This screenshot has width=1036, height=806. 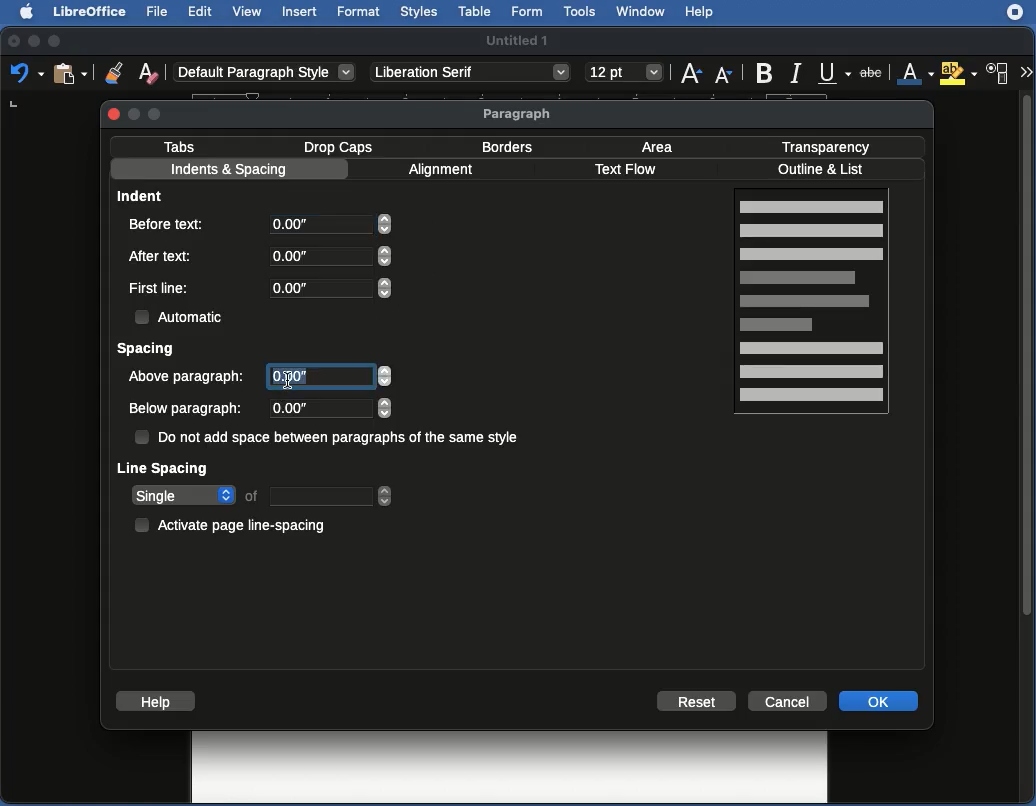 What do you see at coordinates (697, 701) in the screenshot?
I see `Reset` at bounding box center [697, 701].